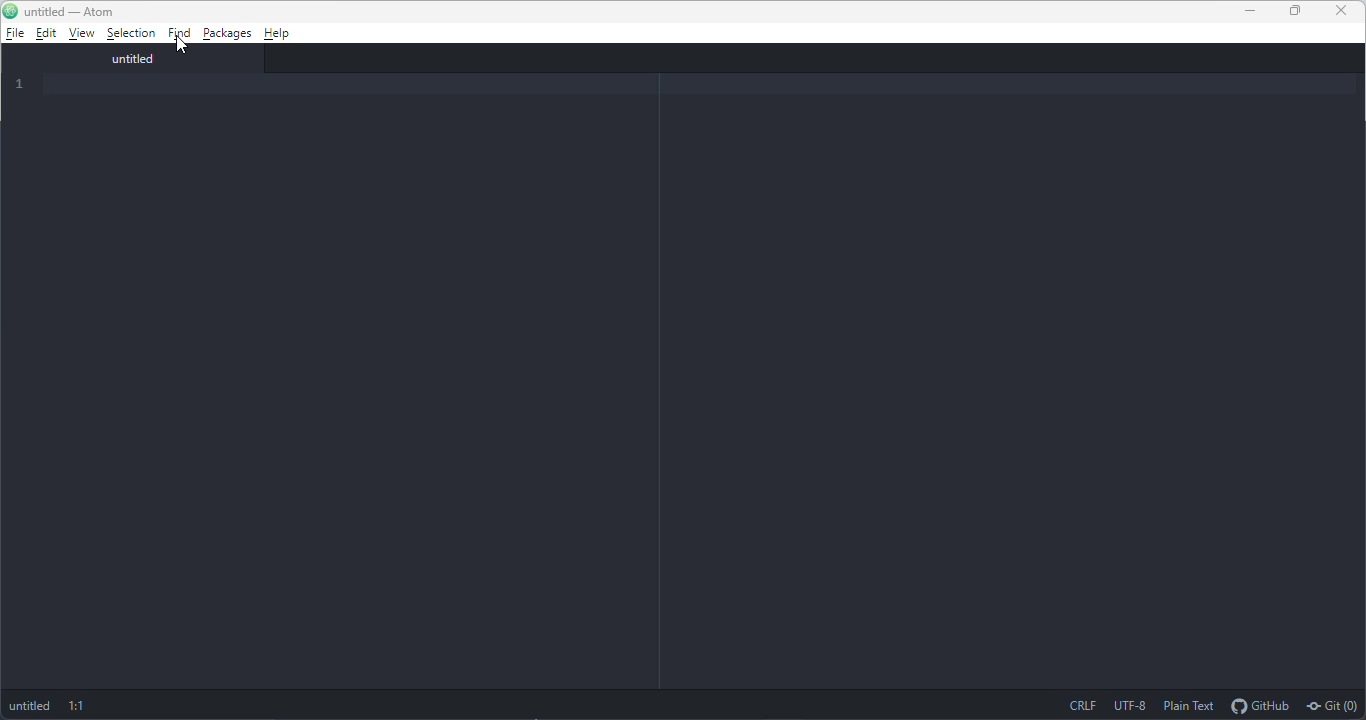 Image resolution: width=1366 pixels, height=720 pixels. I want to click on CRLF, so click(1085, 706).